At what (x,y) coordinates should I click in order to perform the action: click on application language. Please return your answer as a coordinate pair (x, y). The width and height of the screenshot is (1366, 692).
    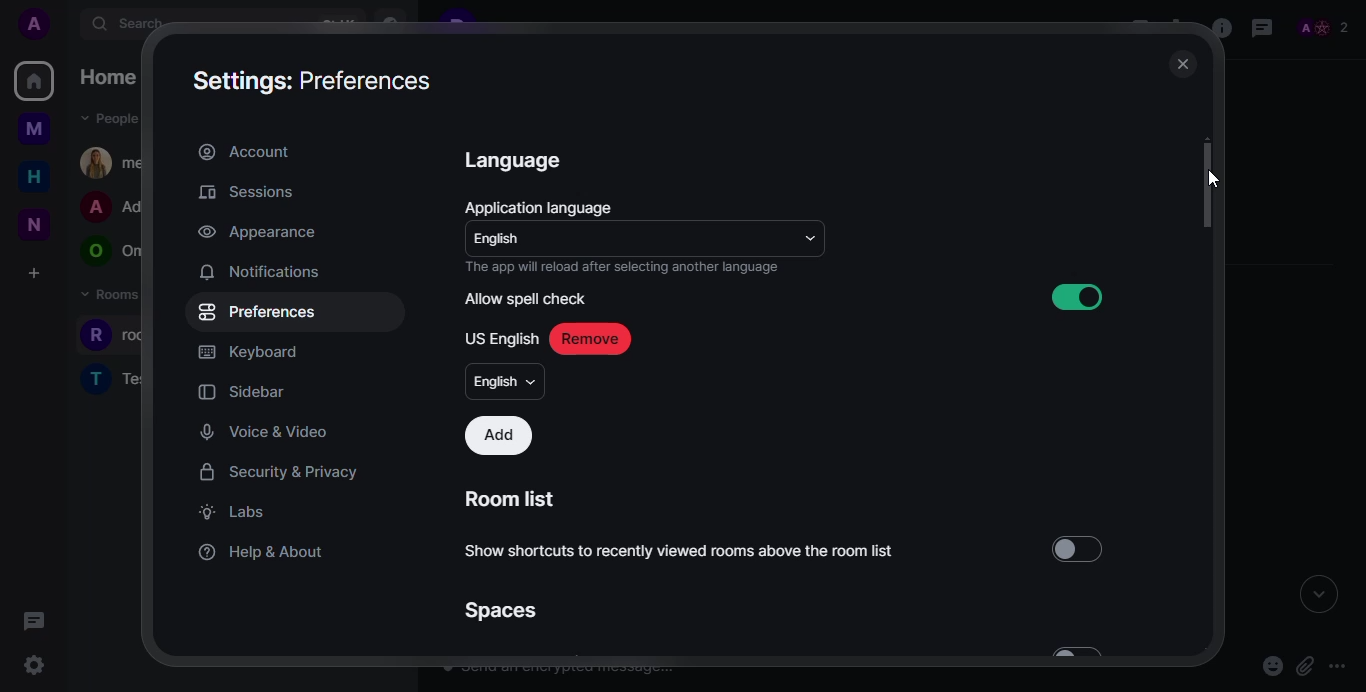
    Looking at the image, I should click on (542, 206).